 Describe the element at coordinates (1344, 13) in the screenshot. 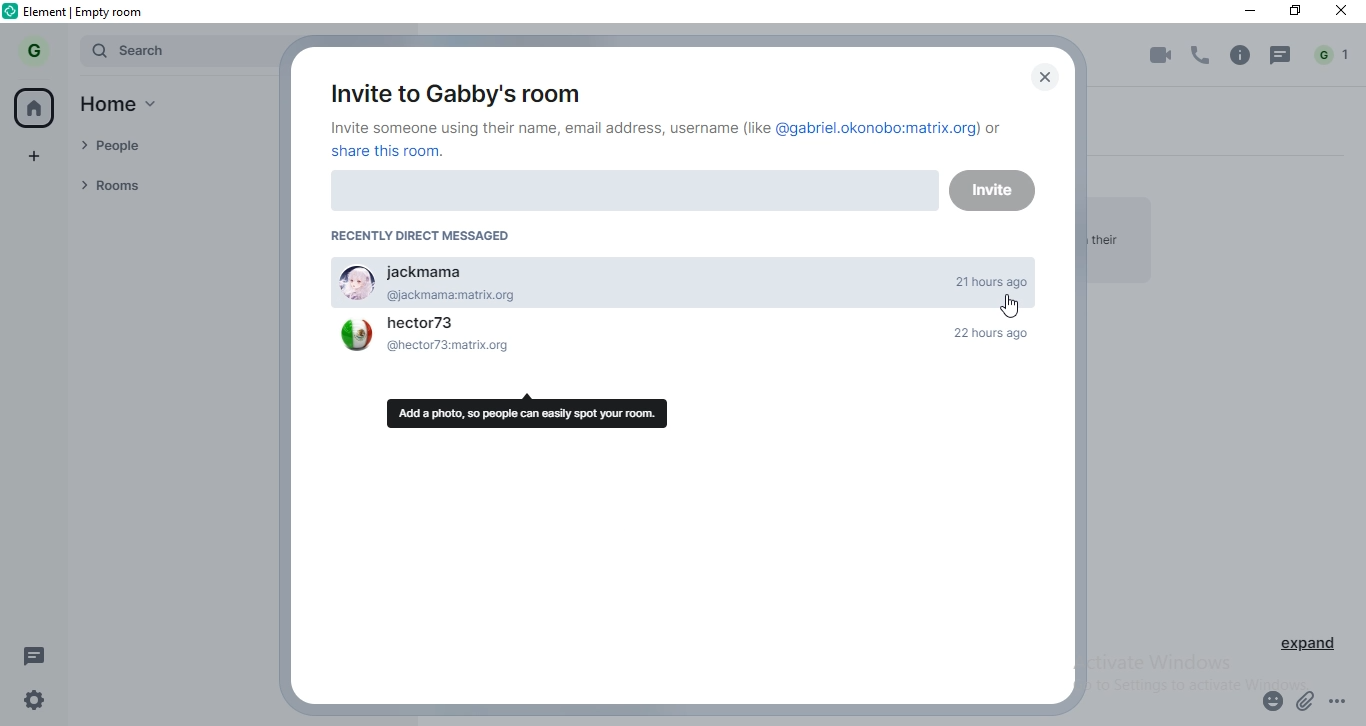

I see `close` at that location.